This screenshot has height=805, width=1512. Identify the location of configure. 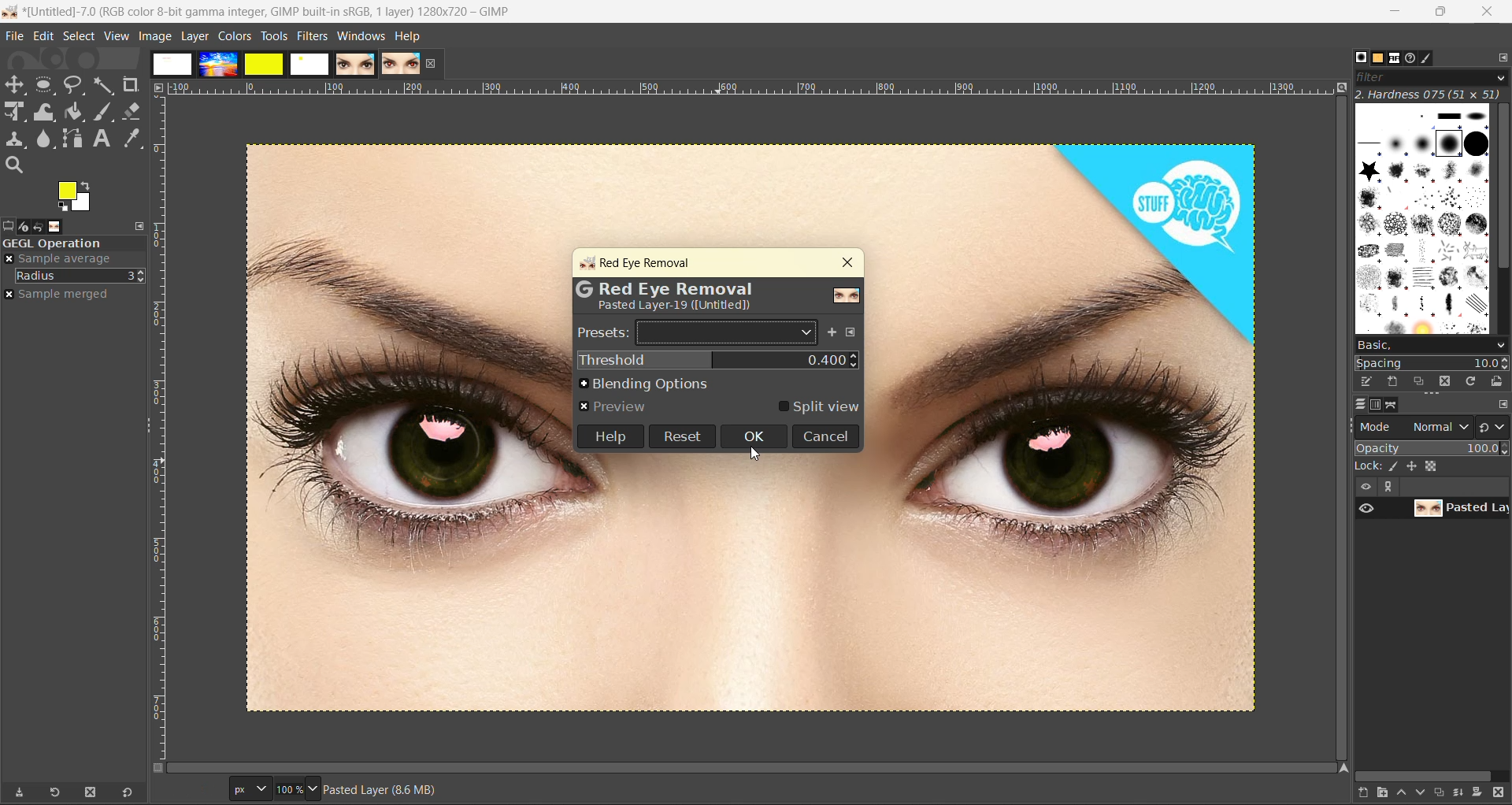
(1503, 57).